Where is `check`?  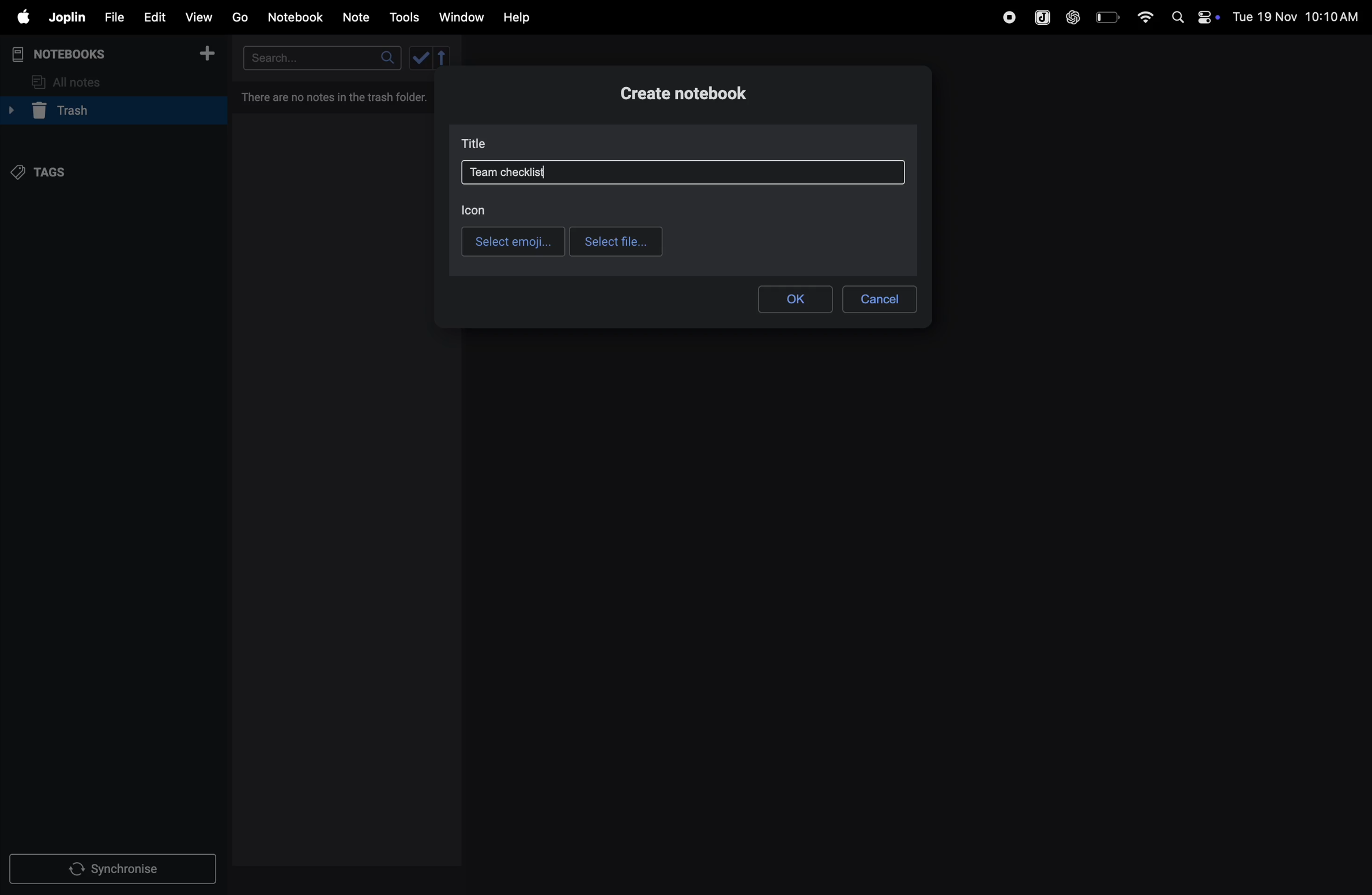
check is located at coordinates (431, 59).